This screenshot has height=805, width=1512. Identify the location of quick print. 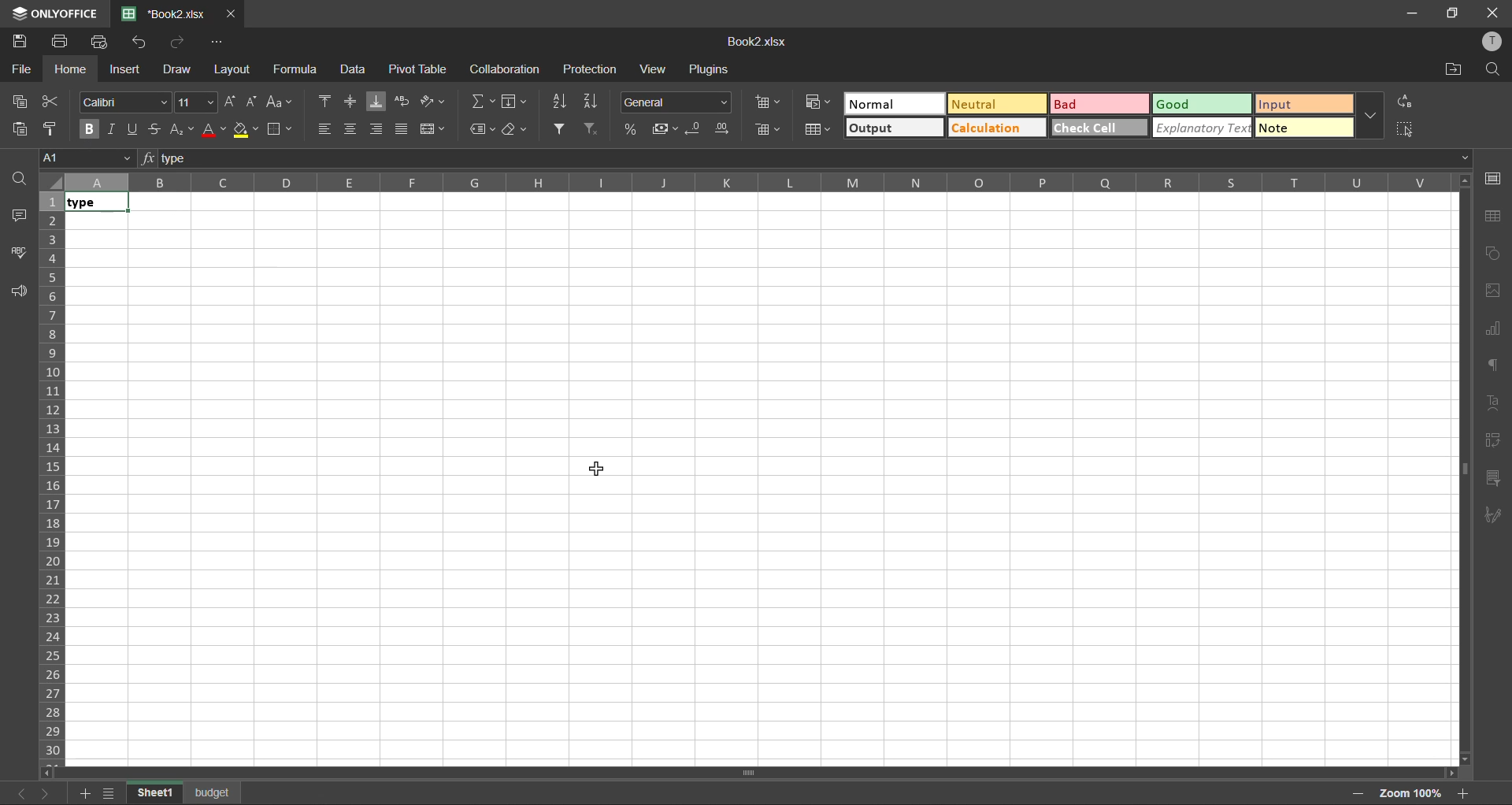
(103, 43).